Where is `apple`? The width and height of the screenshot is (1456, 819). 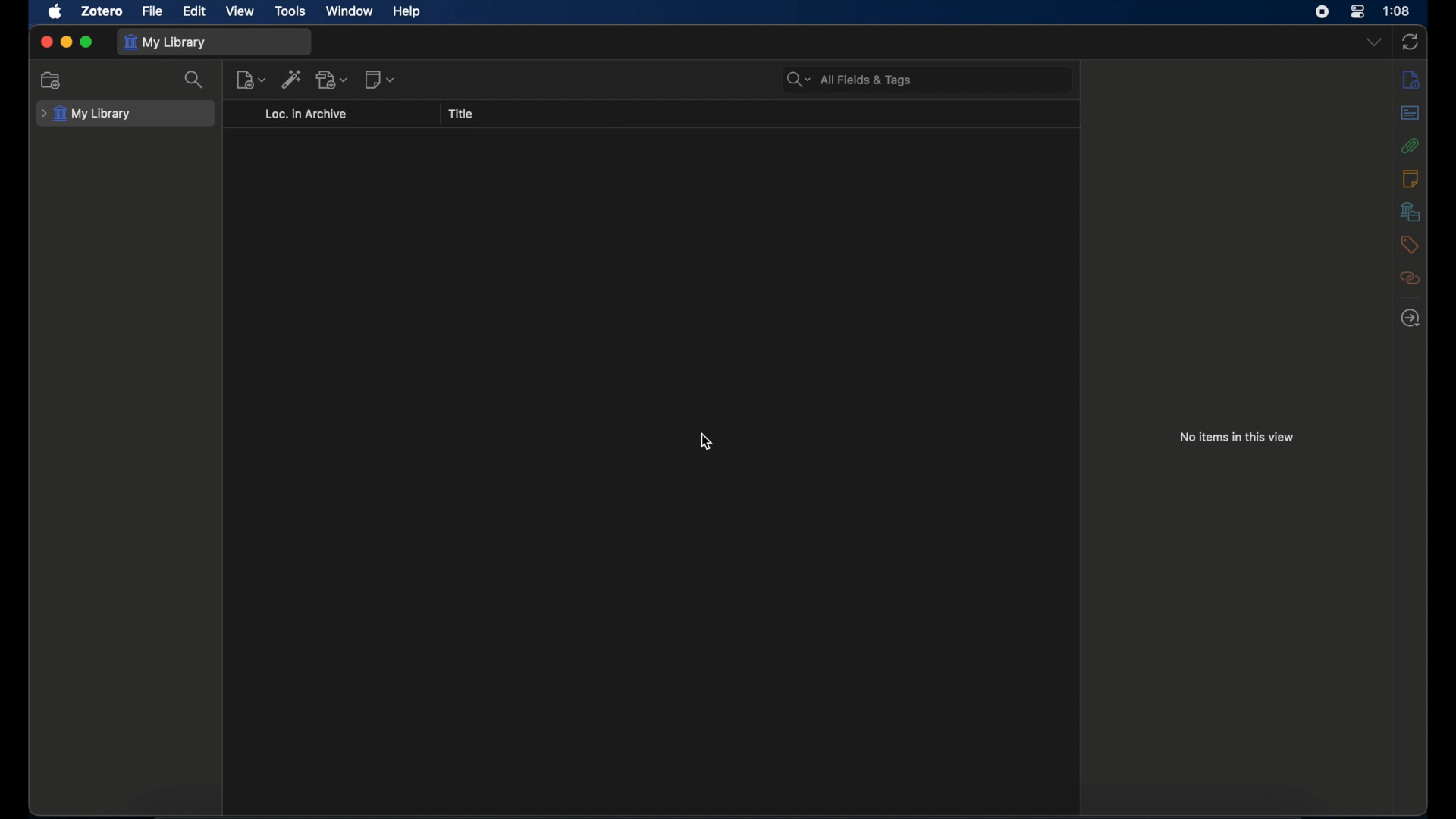
apple is located at coordinates (56, 12).